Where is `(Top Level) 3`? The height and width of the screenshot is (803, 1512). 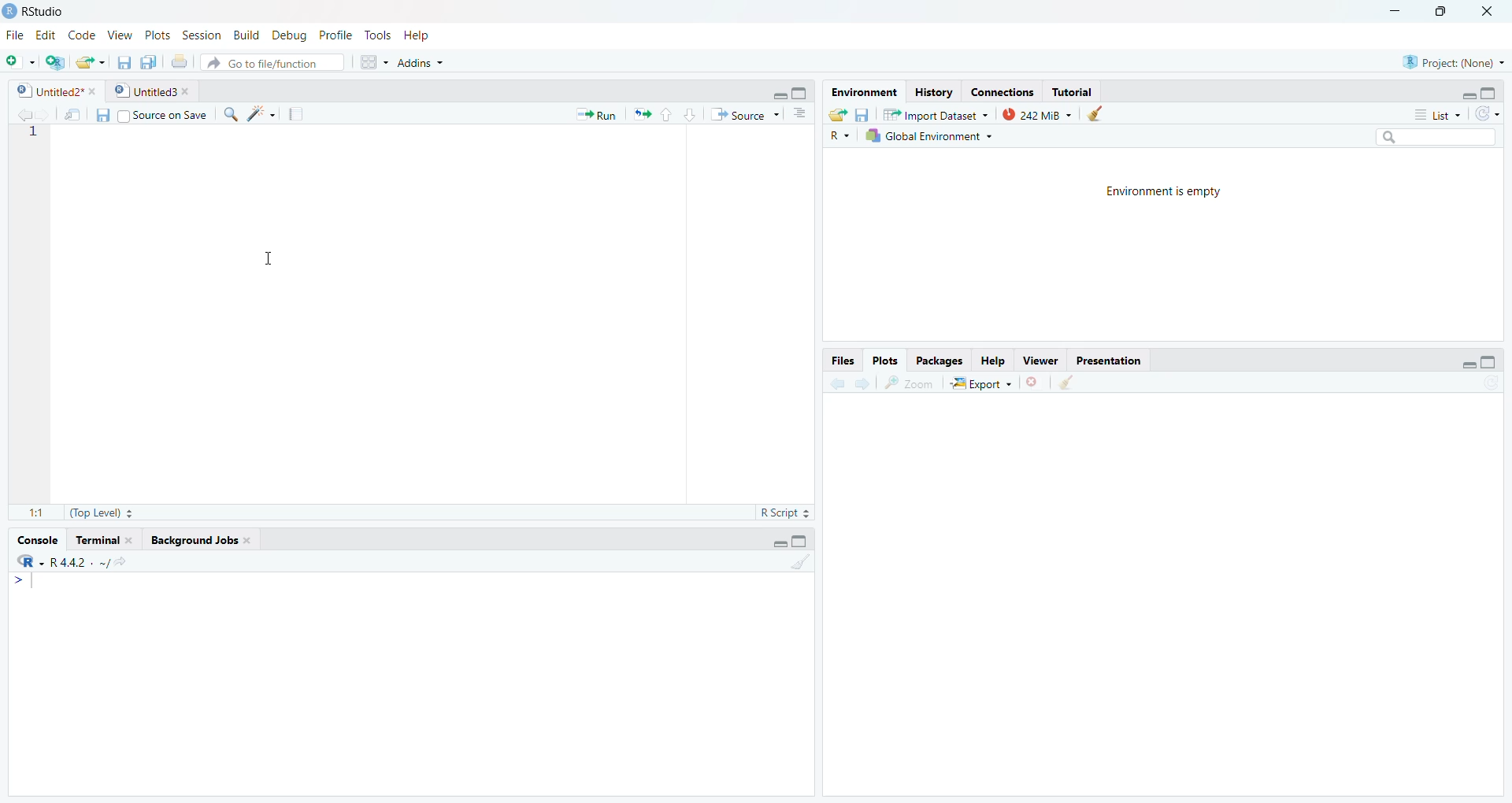
(Top Level) 3 is located at coordinates (102, 513).